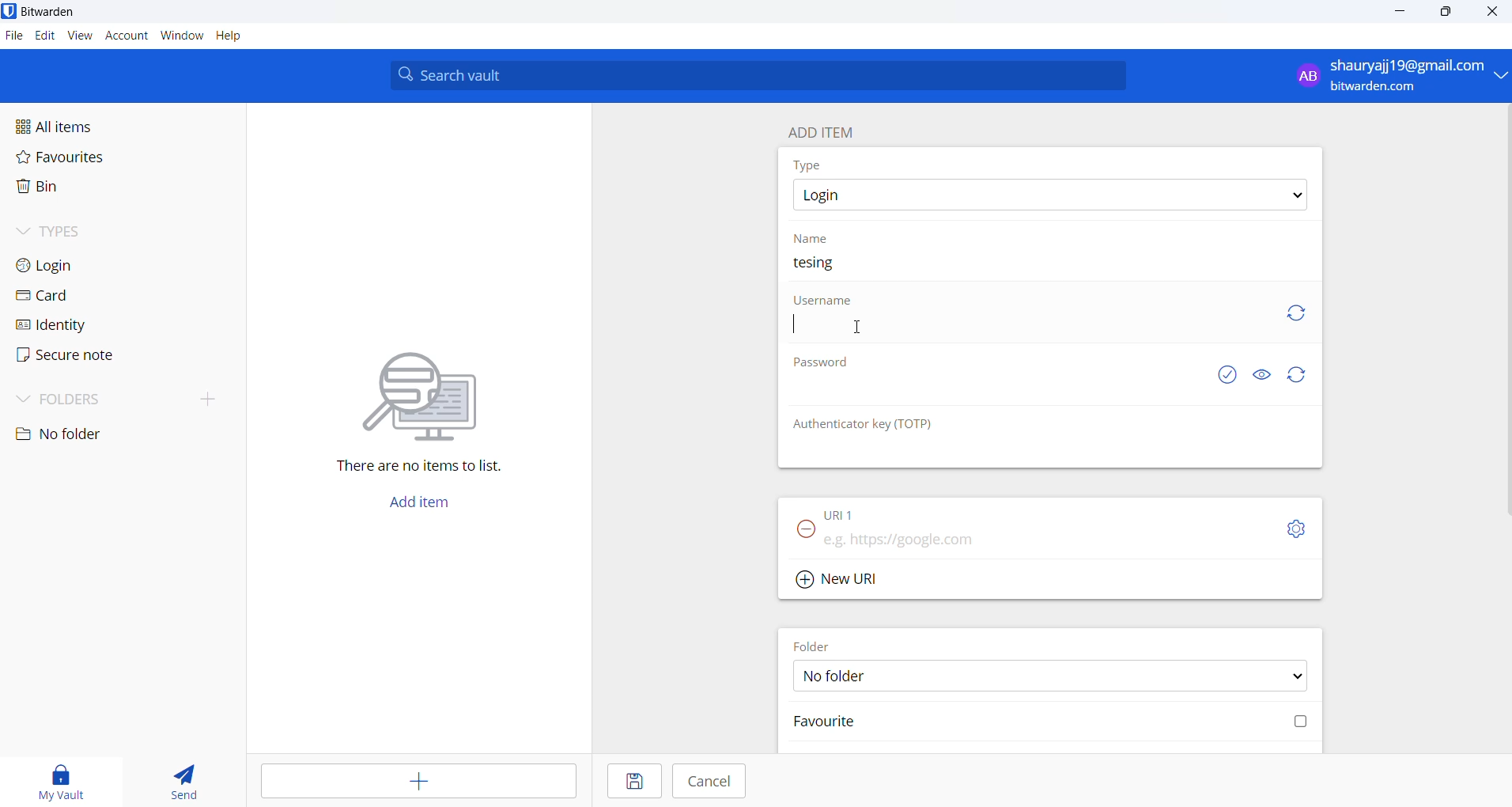  I want to click on Authenticator key (TOTP), so click(879, 426).